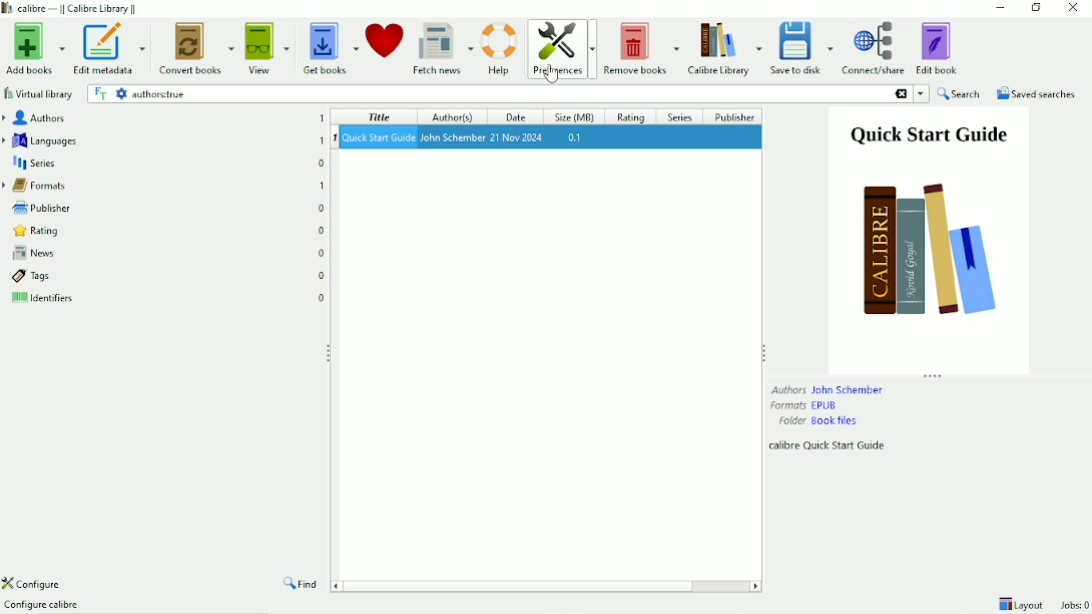  I want to click on Add books, so click(34, 49).